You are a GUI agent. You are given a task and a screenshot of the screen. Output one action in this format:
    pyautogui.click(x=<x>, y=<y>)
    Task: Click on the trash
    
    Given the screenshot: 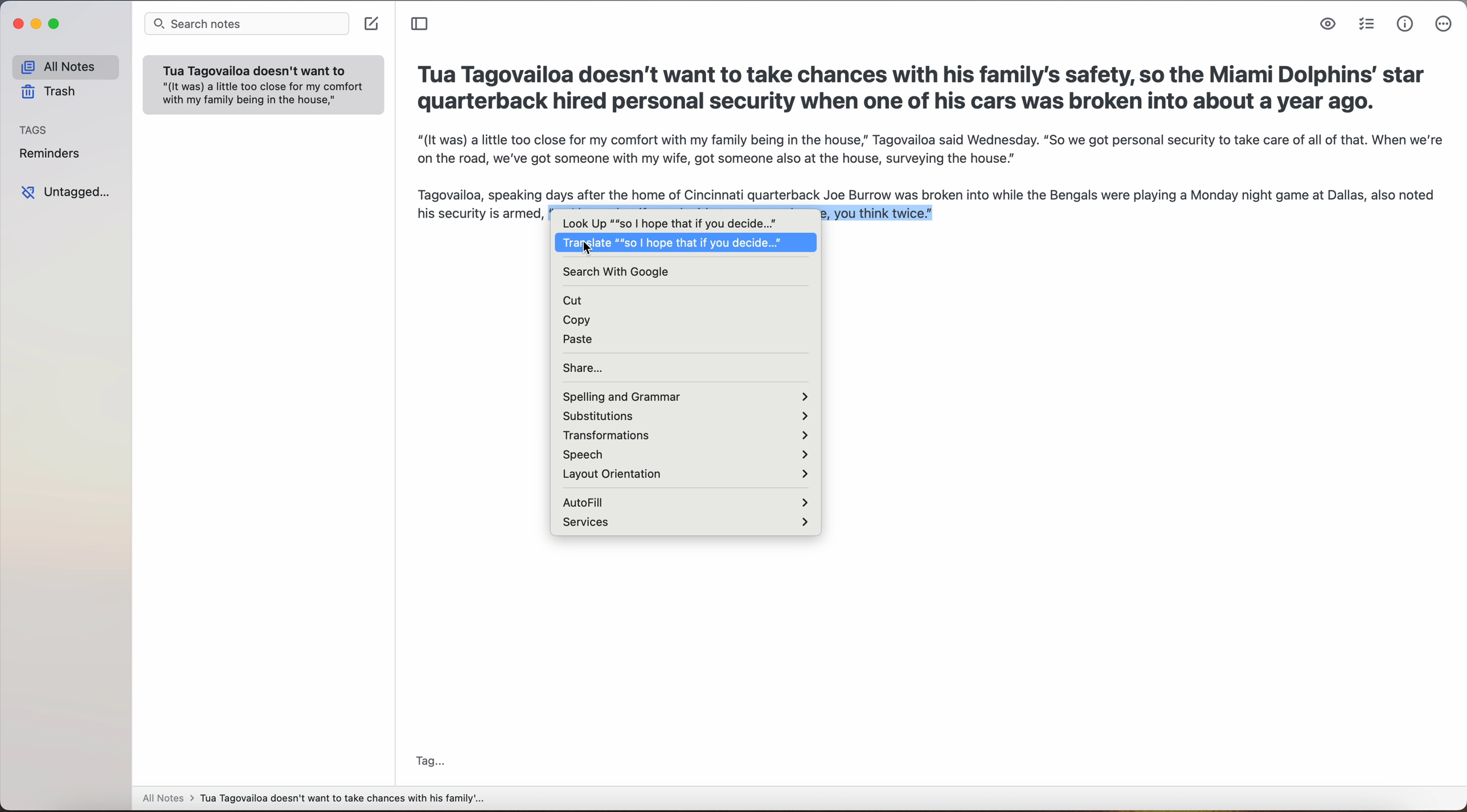 What is the action you would take?
    pyautogui.click(x=53, y=93)
    